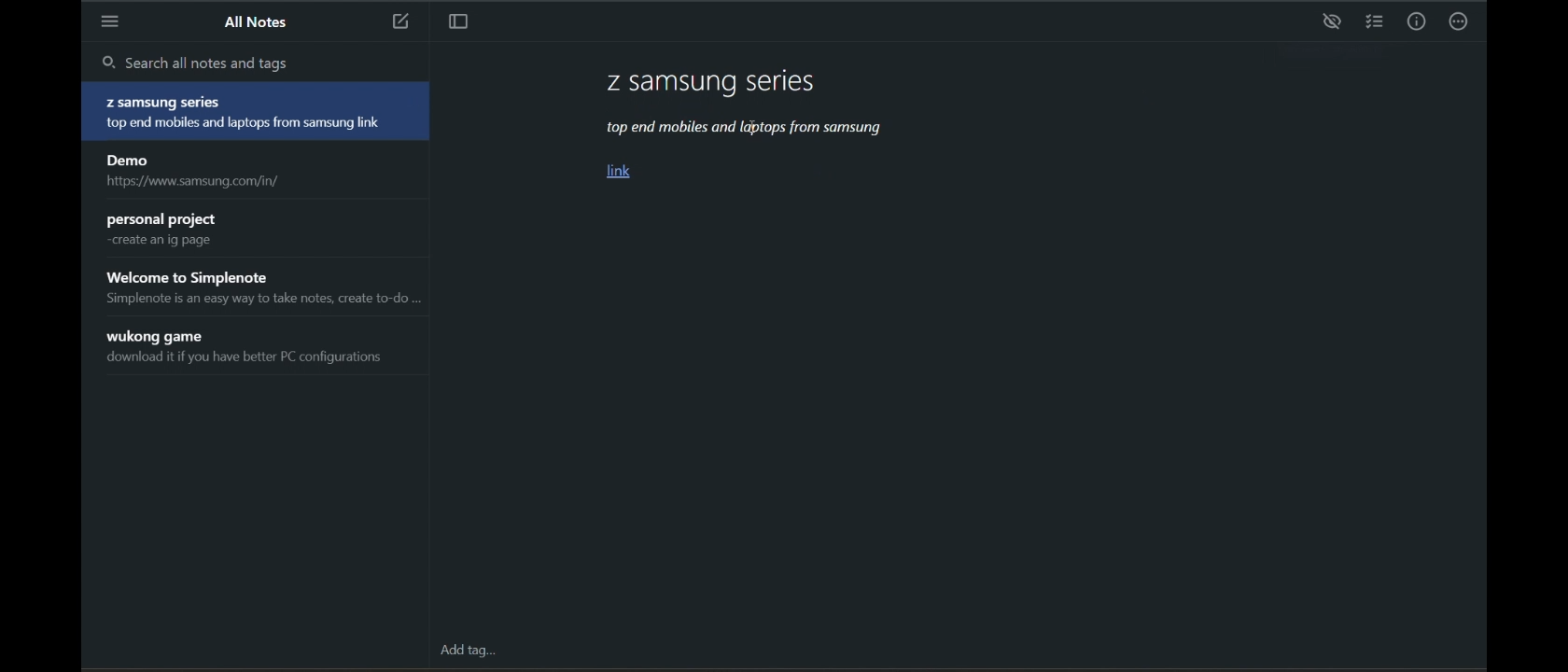  Describe the element at coordinates (258, 113) in the screenshot. I see `Z samsung series top end mobiles and laptops from samsung` at that location.